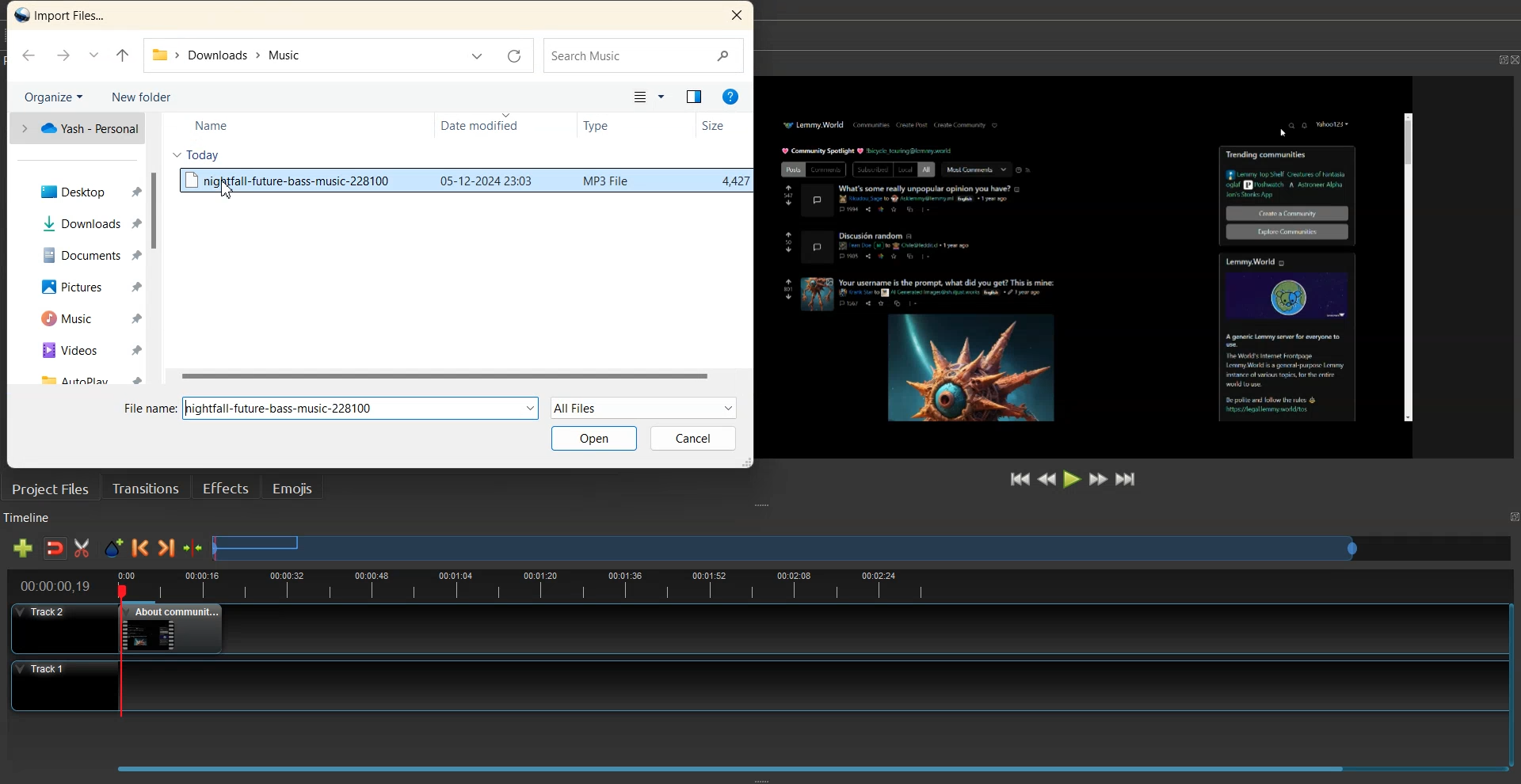  Describe the element at coordinates (1099, 478) in the screenshot. I see `Fast Forward` at that location.